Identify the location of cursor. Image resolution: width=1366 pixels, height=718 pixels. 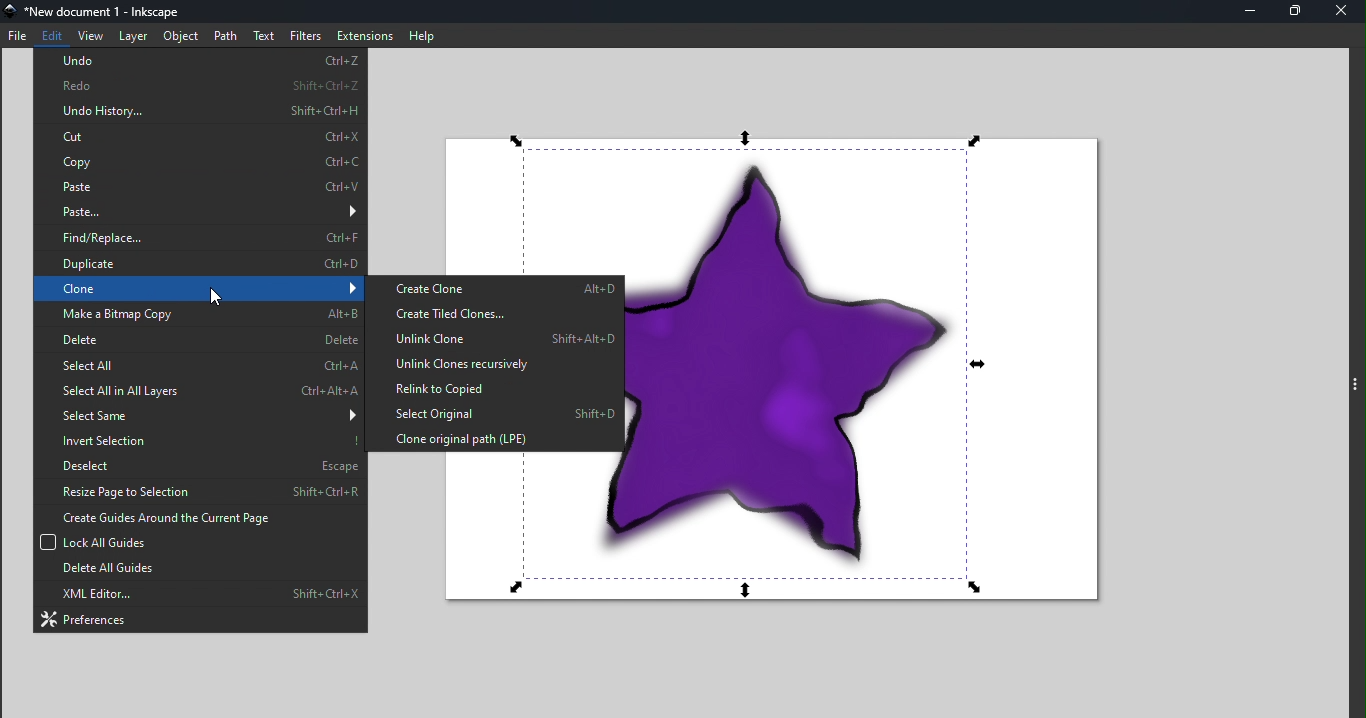
(214, 291).